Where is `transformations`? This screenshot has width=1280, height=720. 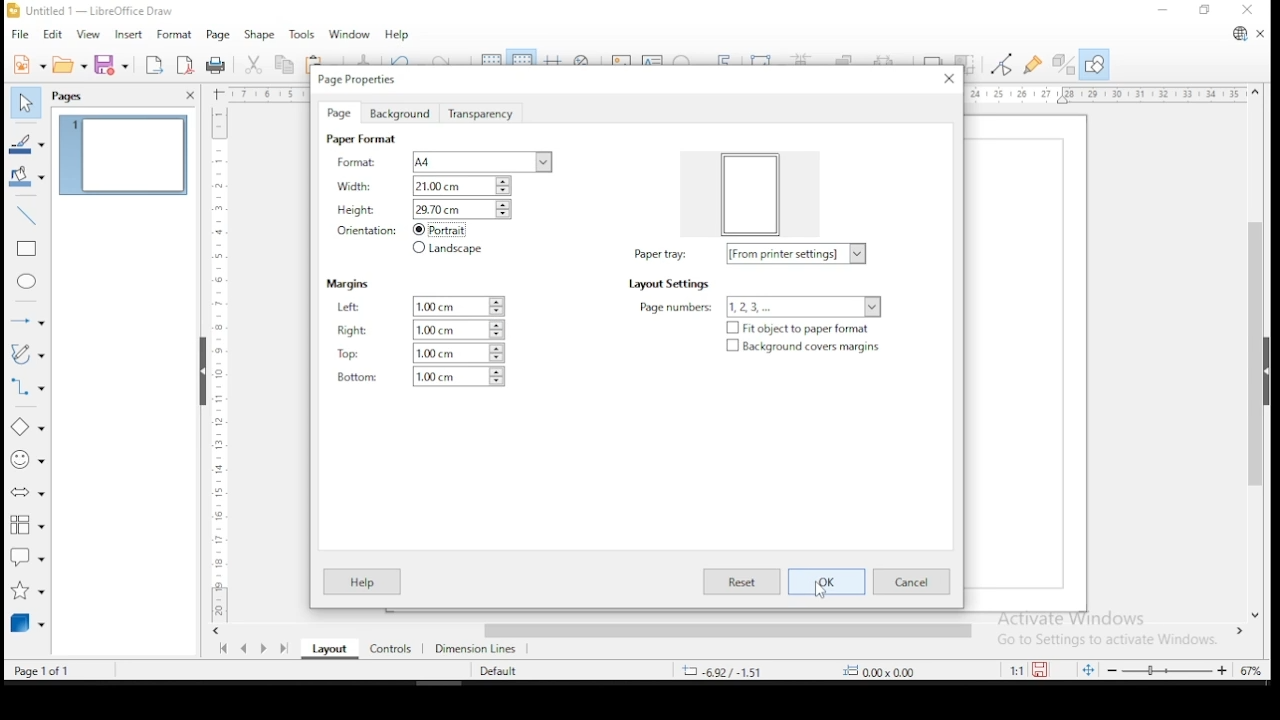 transformations is located at coordinates (764, 58).